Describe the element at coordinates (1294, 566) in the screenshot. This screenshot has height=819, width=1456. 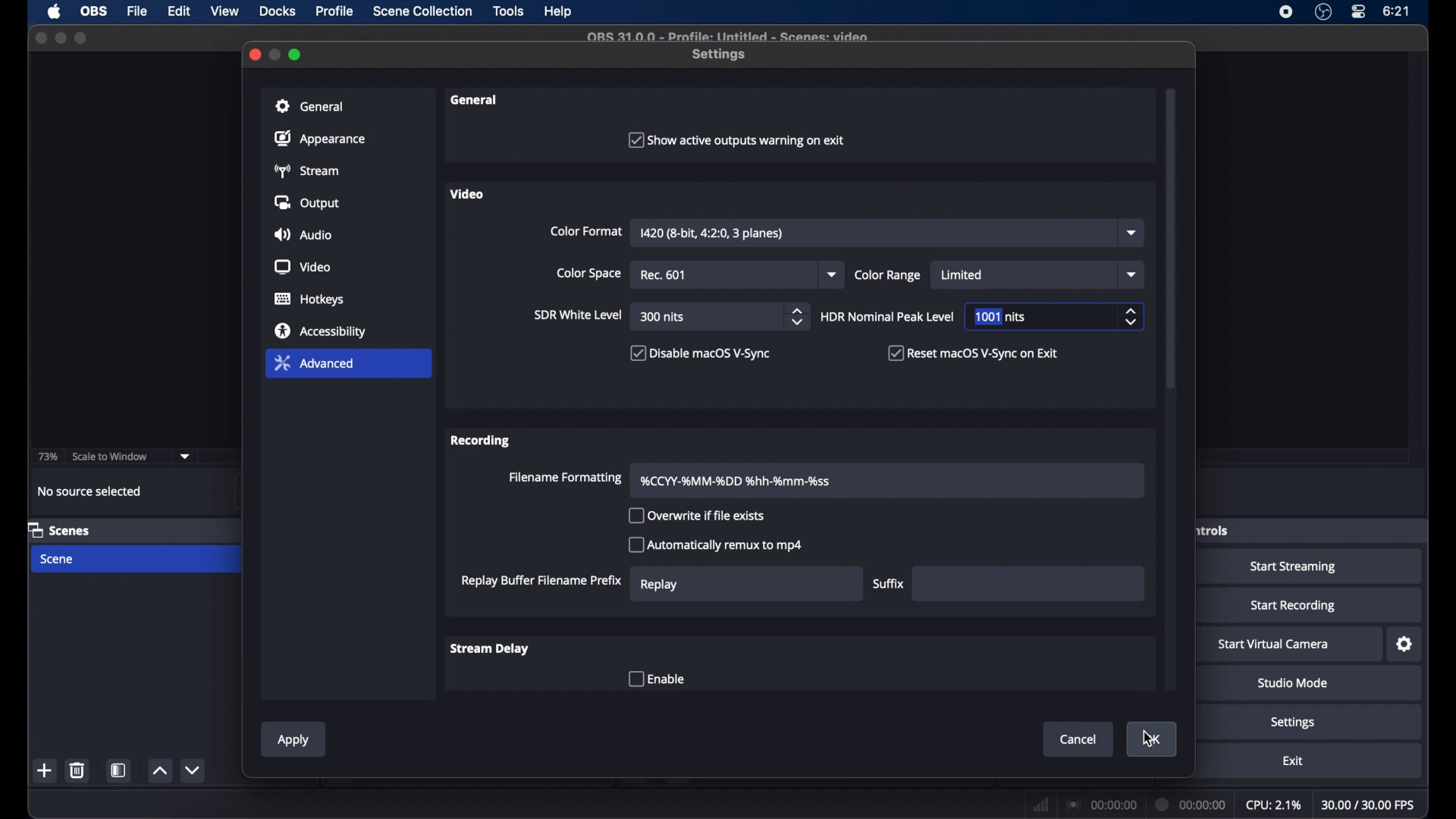
I see `start streaming` at that location.